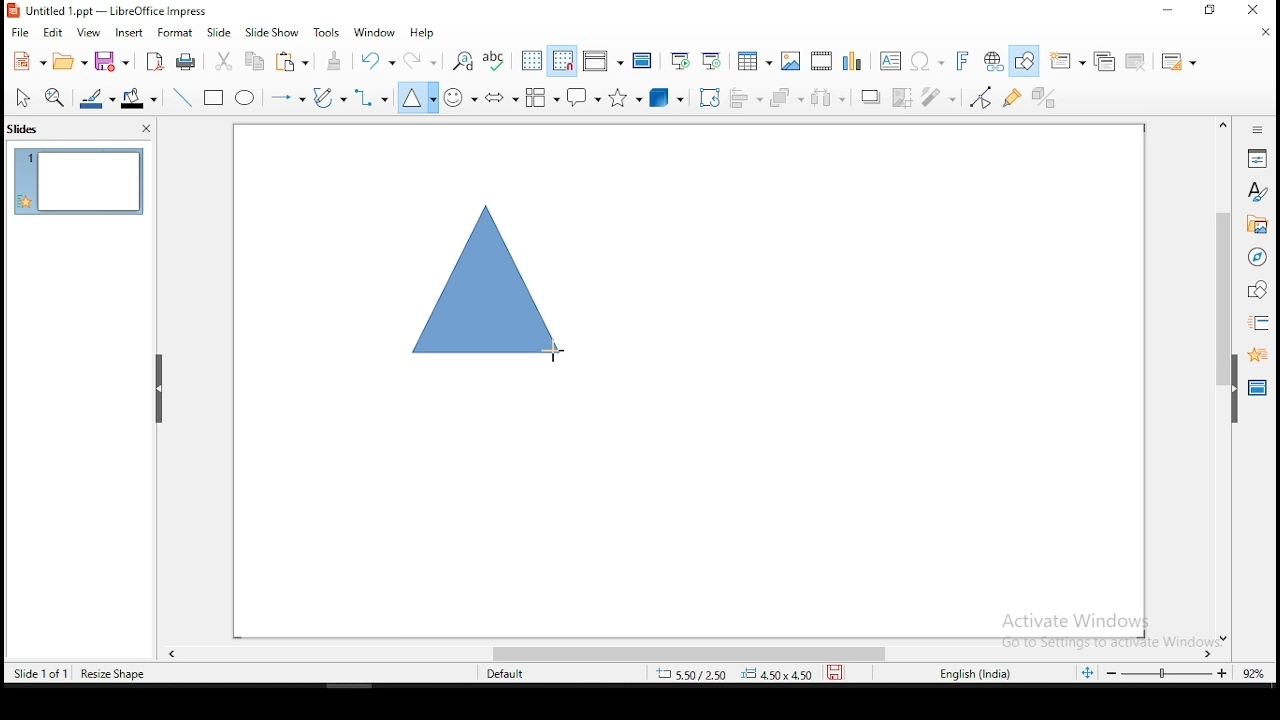 This screenshot has height=720, width=1280. Describe the element at coordinates (601, 62) in the screenshot. I see `display views` at that location.